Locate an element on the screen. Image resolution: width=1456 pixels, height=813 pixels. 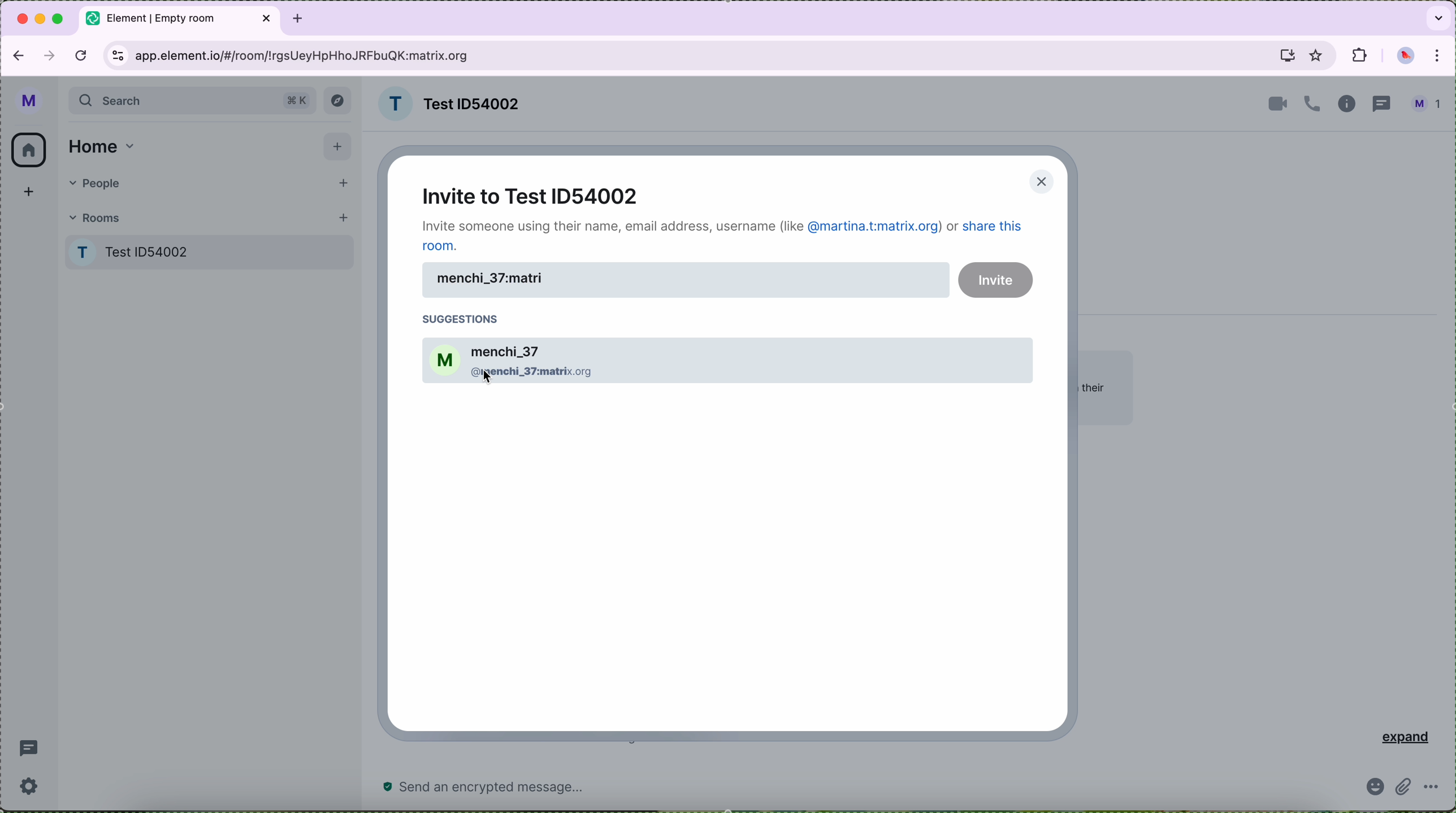
search bar is located at coordinates (192, 102).